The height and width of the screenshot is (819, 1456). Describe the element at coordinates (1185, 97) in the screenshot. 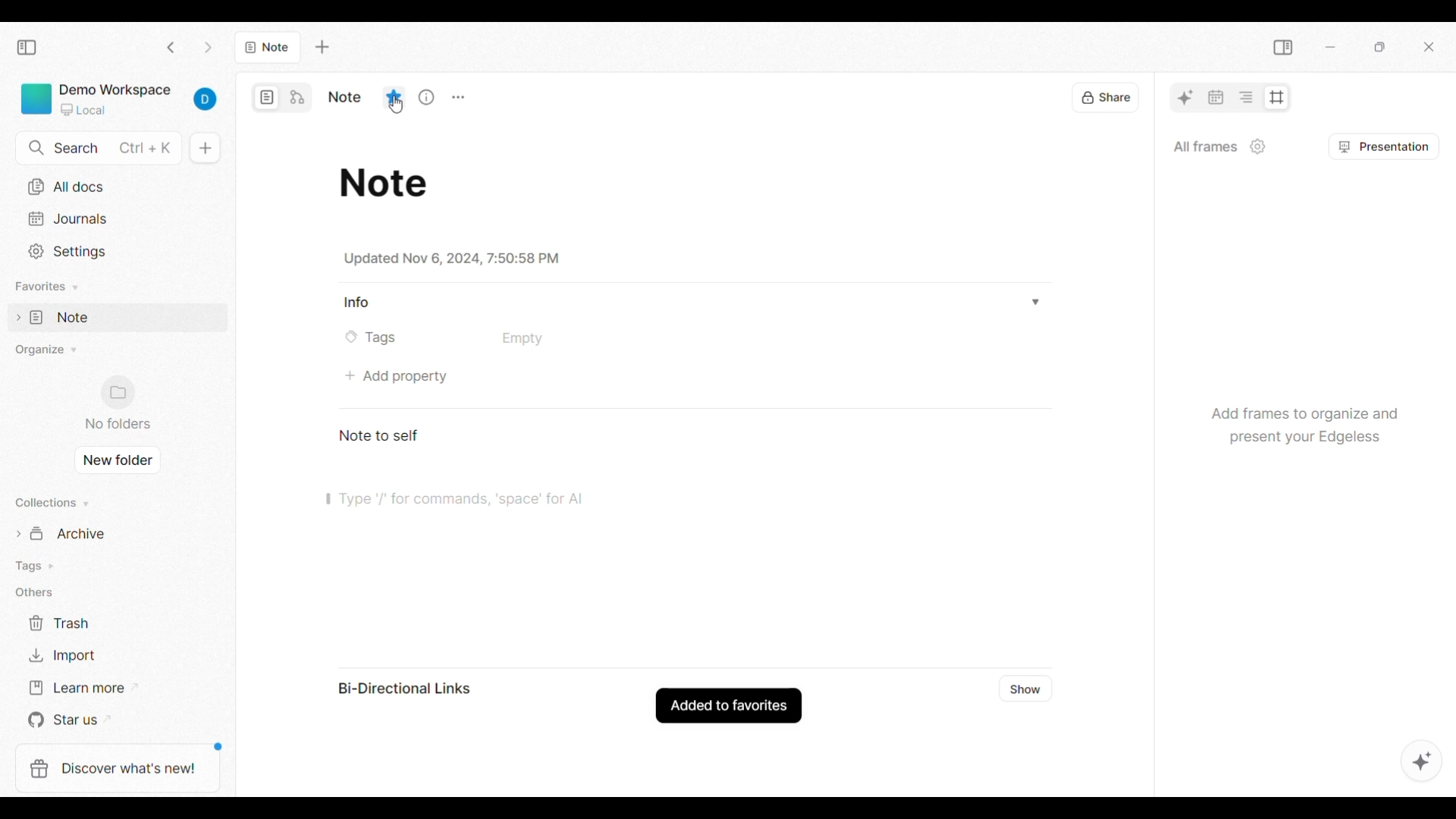

I see `Ask AI` at that location.